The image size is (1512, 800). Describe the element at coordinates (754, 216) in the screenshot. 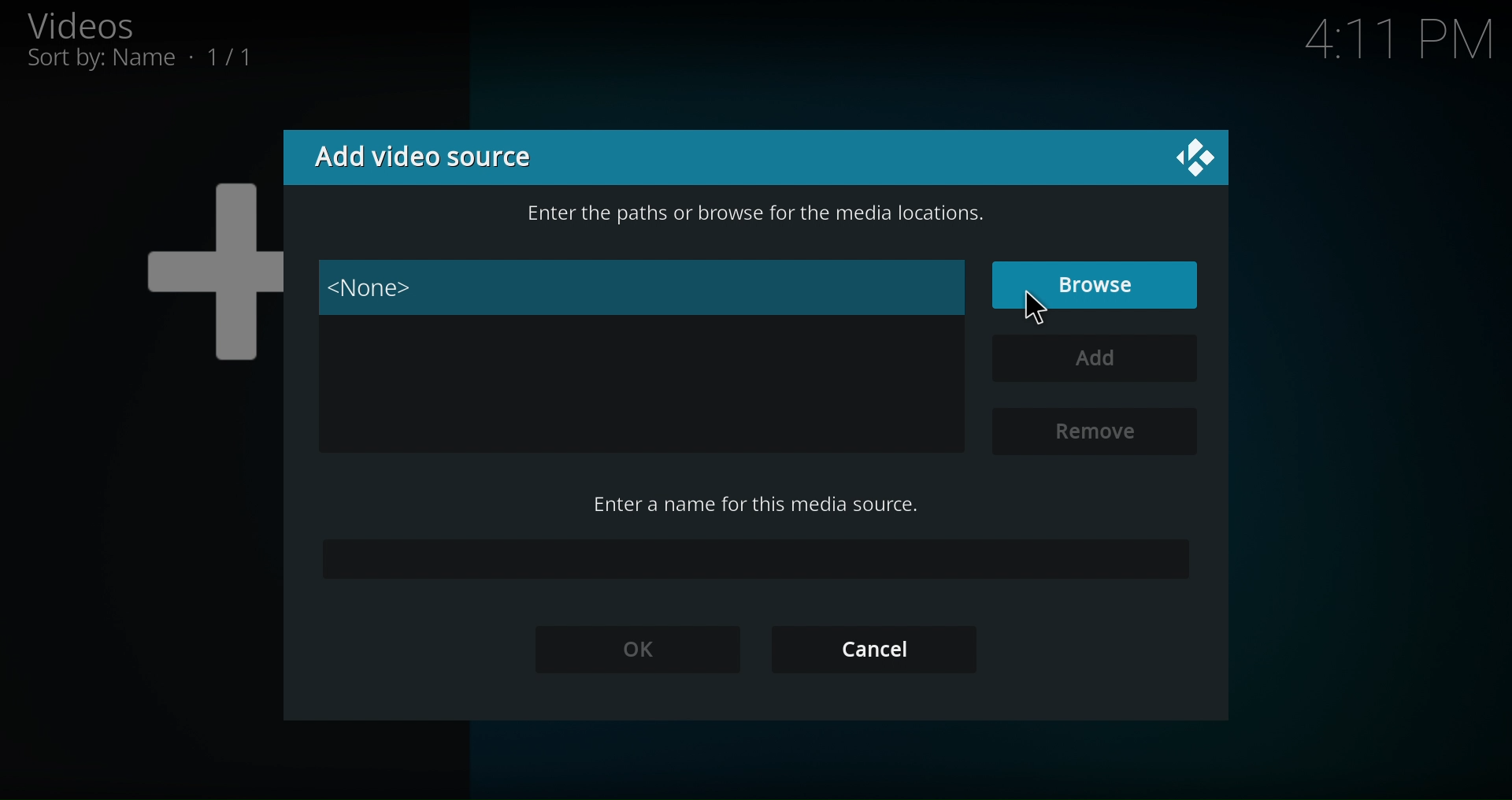

I see `Enter the paths or browse for the media locations` at that location.